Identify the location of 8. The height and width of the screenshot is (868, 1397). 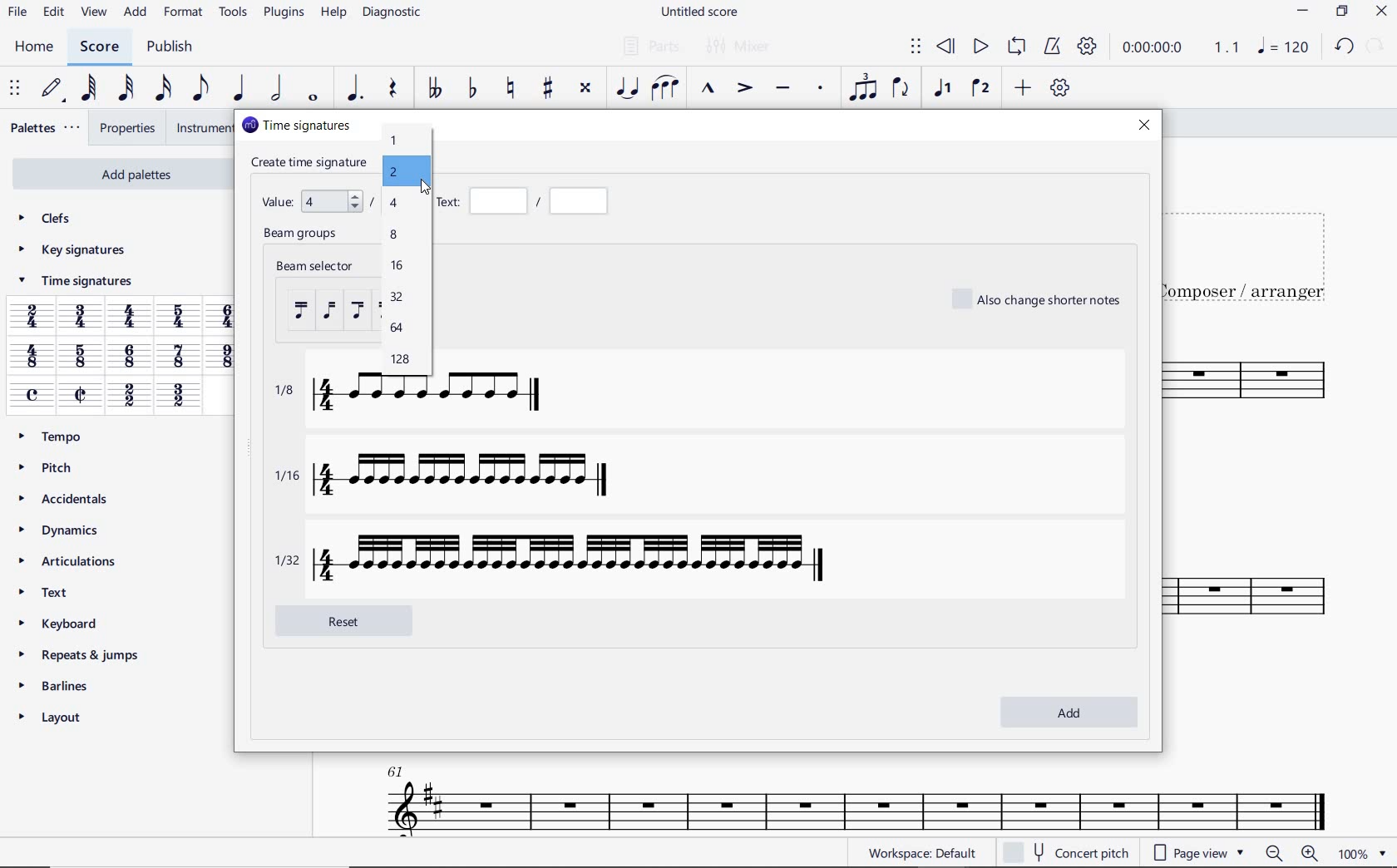
(396, 234).